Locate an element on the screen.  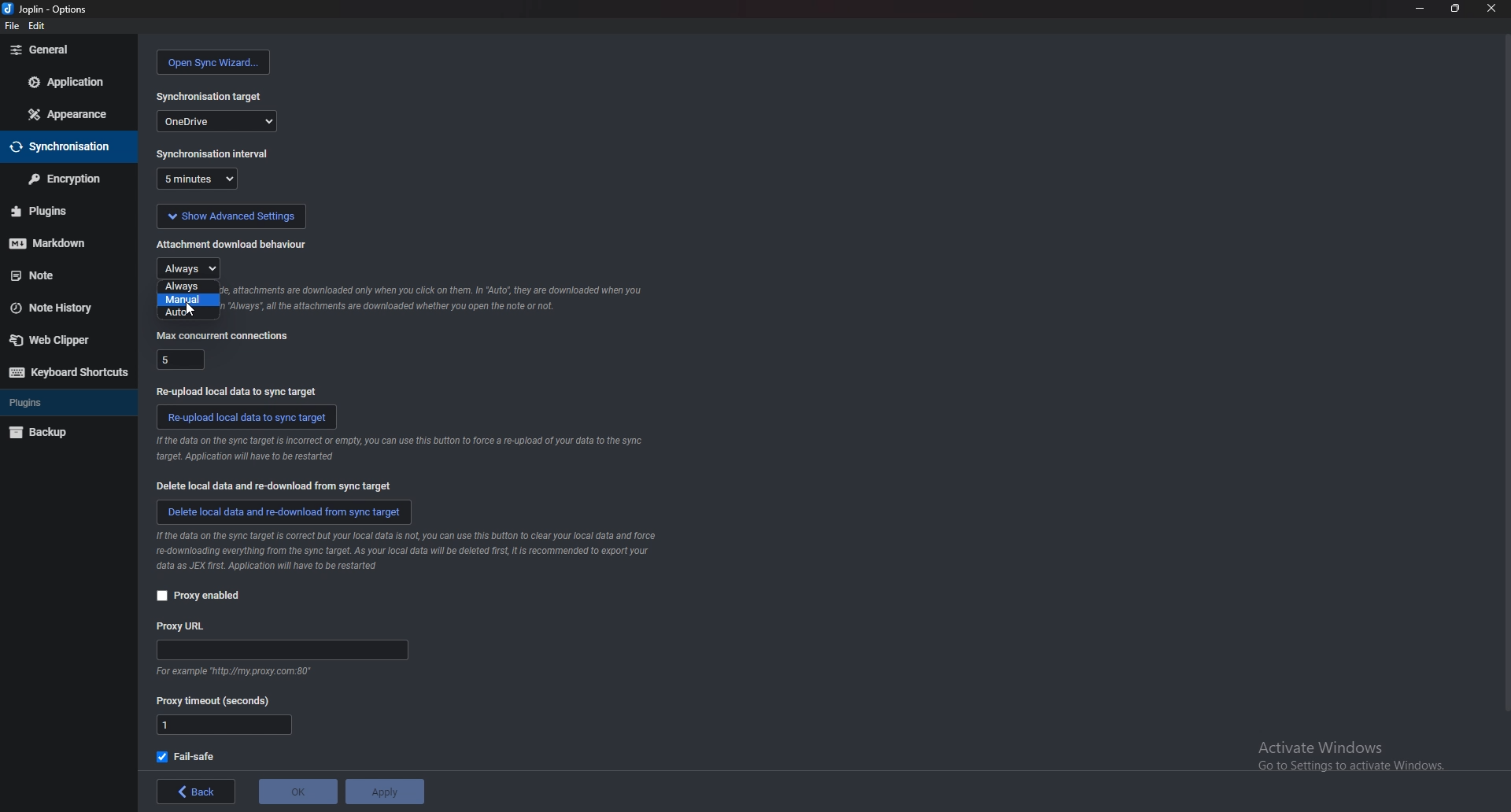
encryption is located at coordinates (66, 179).